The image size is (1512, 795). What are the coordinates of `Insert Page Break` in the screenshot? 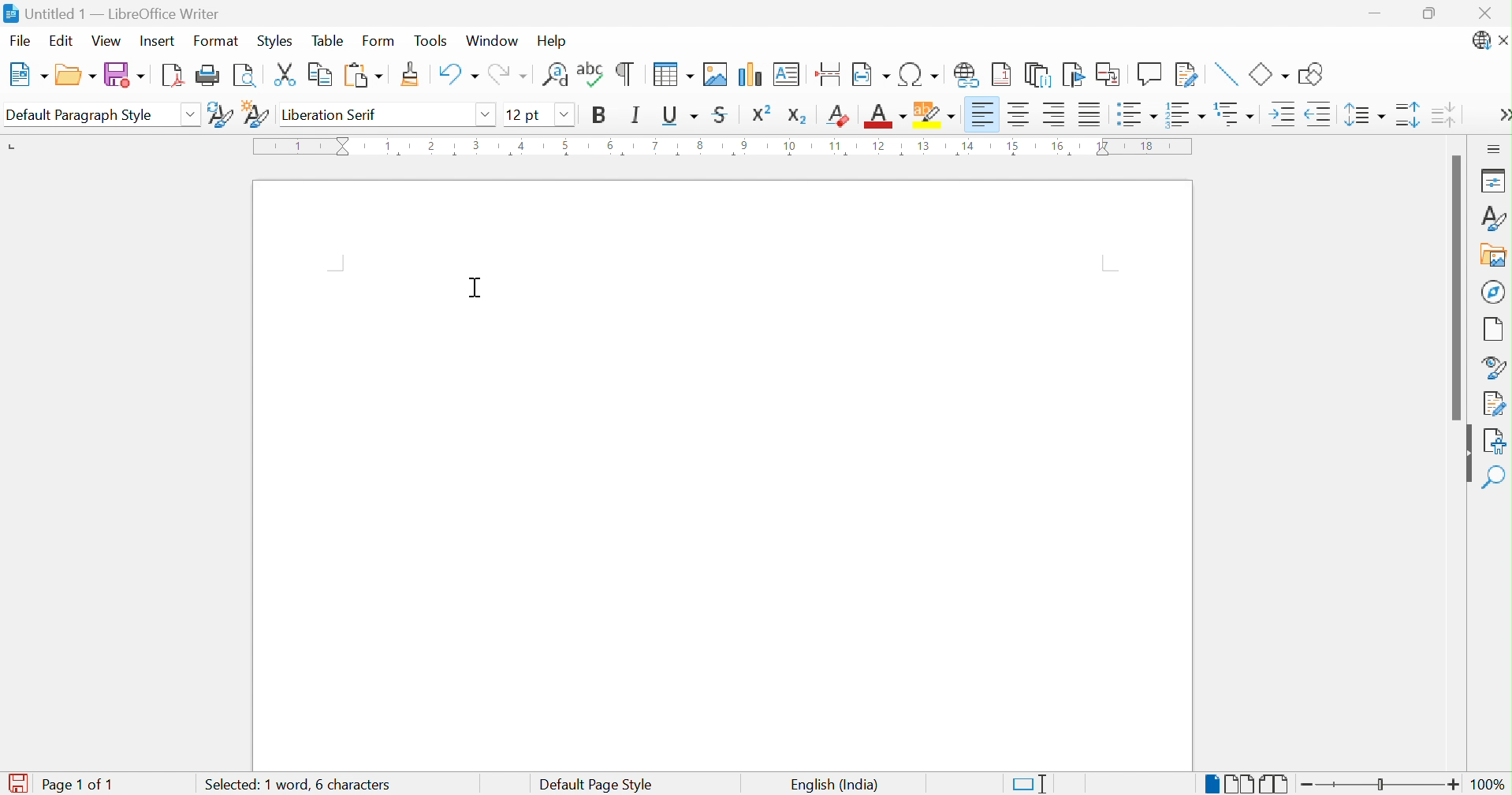 It's located at (827, 70).